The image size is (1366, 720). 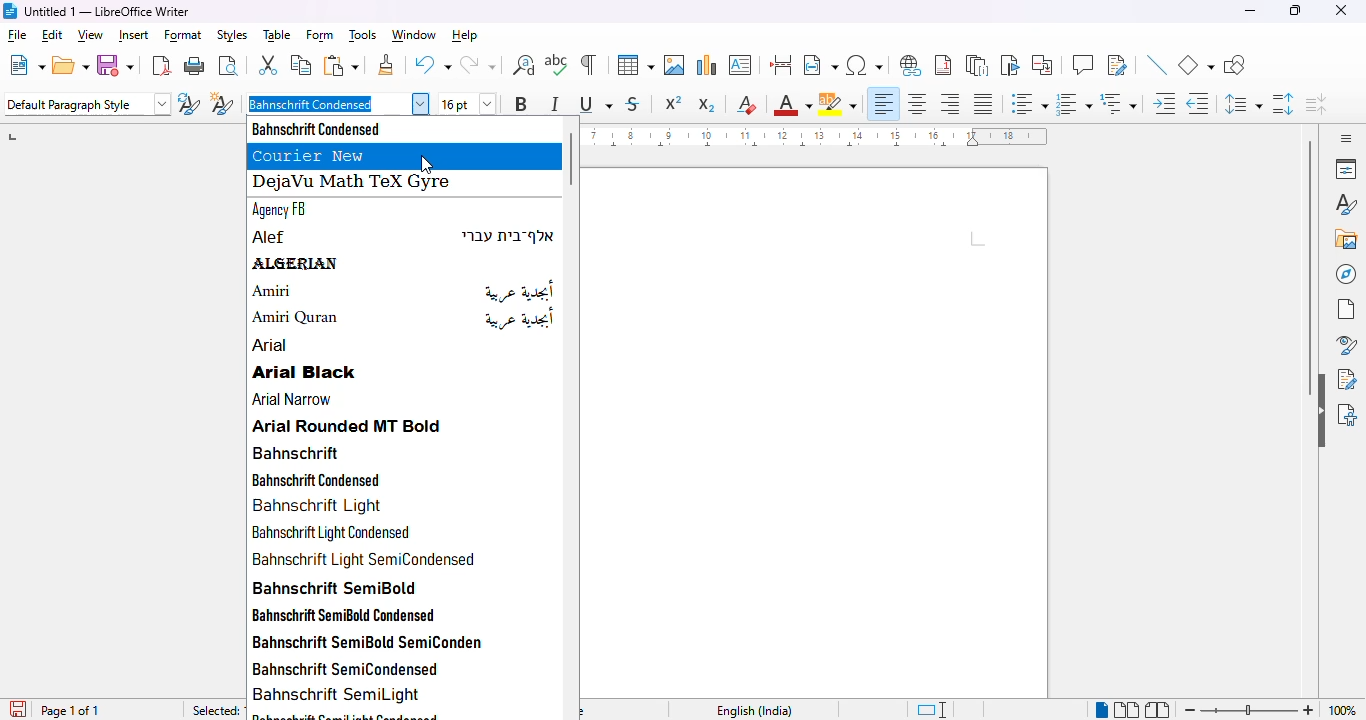 I want to click on undo, so click(x=432, y=64).